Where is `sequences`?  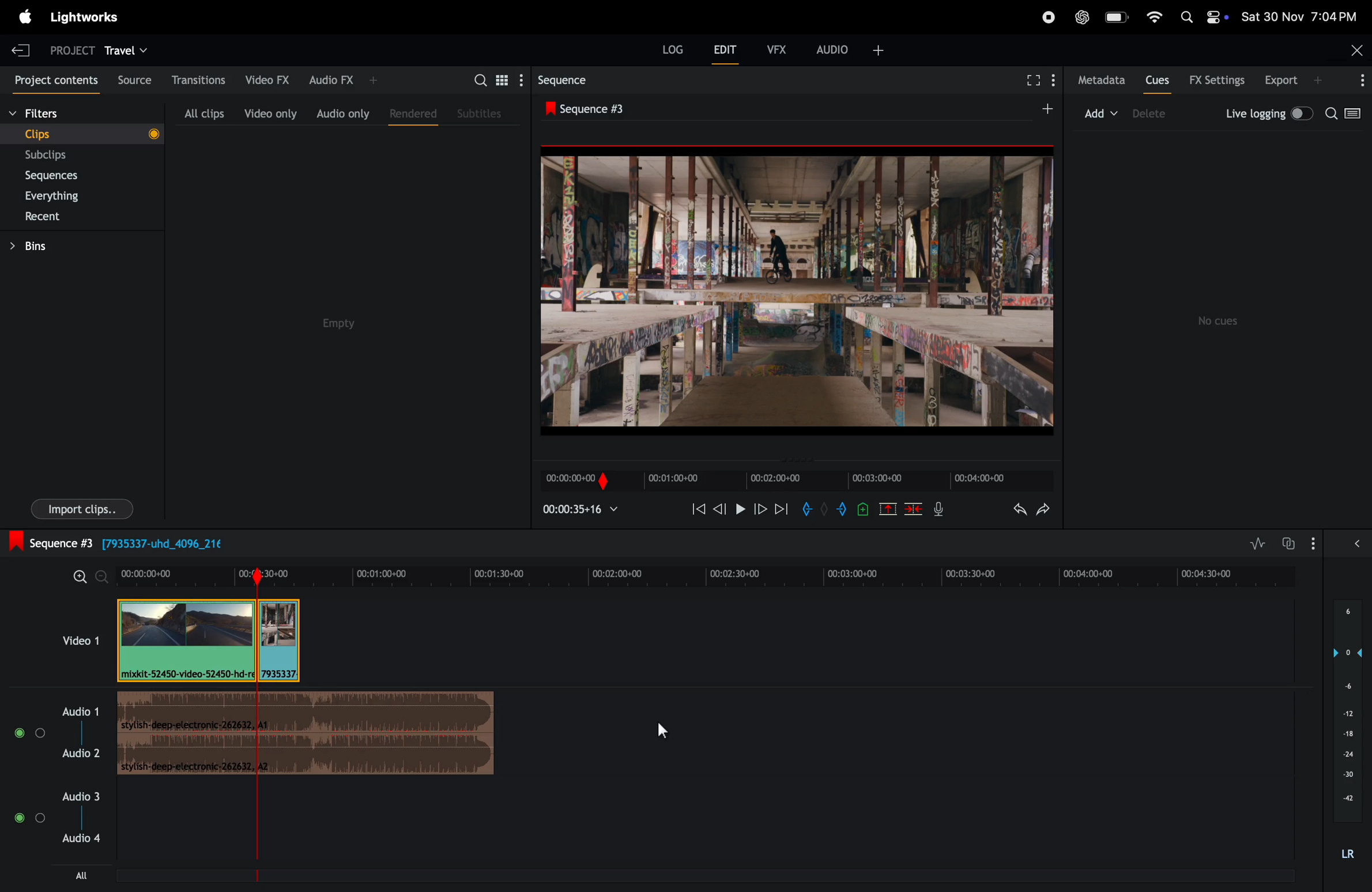 sequences is located at coordinates (63, 176).